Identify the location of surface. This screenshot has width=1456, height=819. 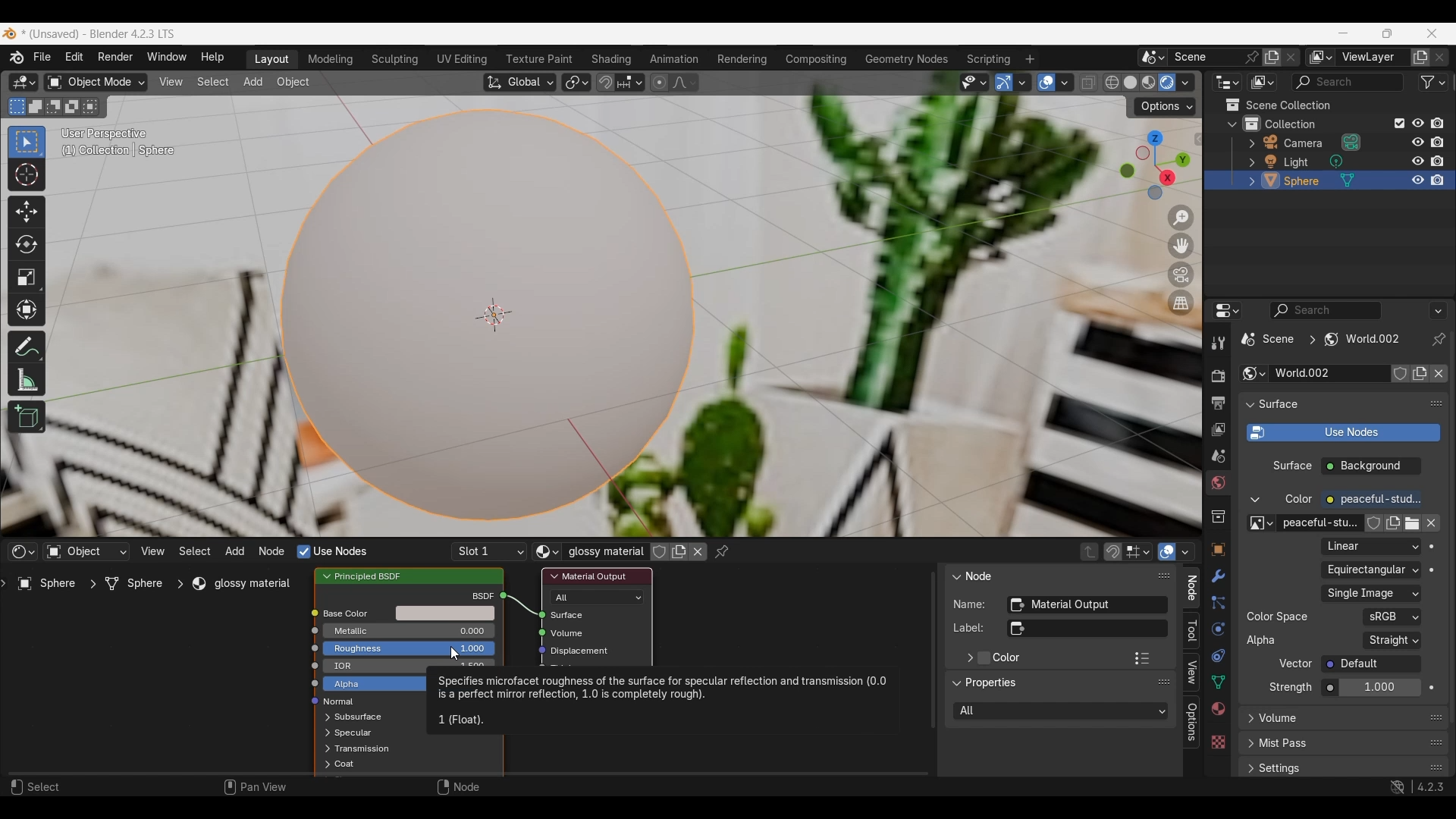
(1281, 404).